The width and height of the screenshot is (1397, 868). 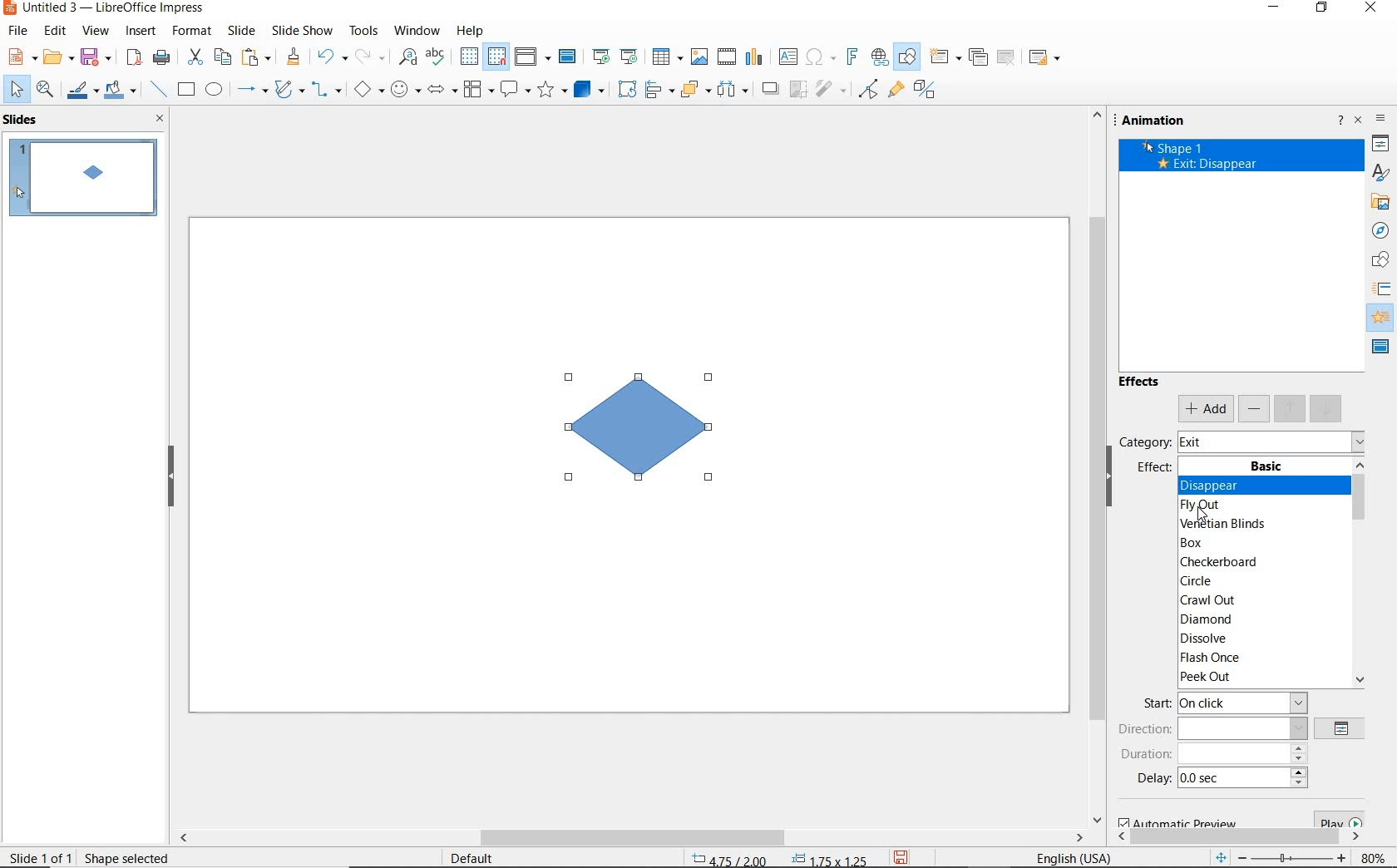 What do you see at coordinates (1341, 122) in the screenshot?
I see `help about this sidebar` at bounding box center [1341, 122].